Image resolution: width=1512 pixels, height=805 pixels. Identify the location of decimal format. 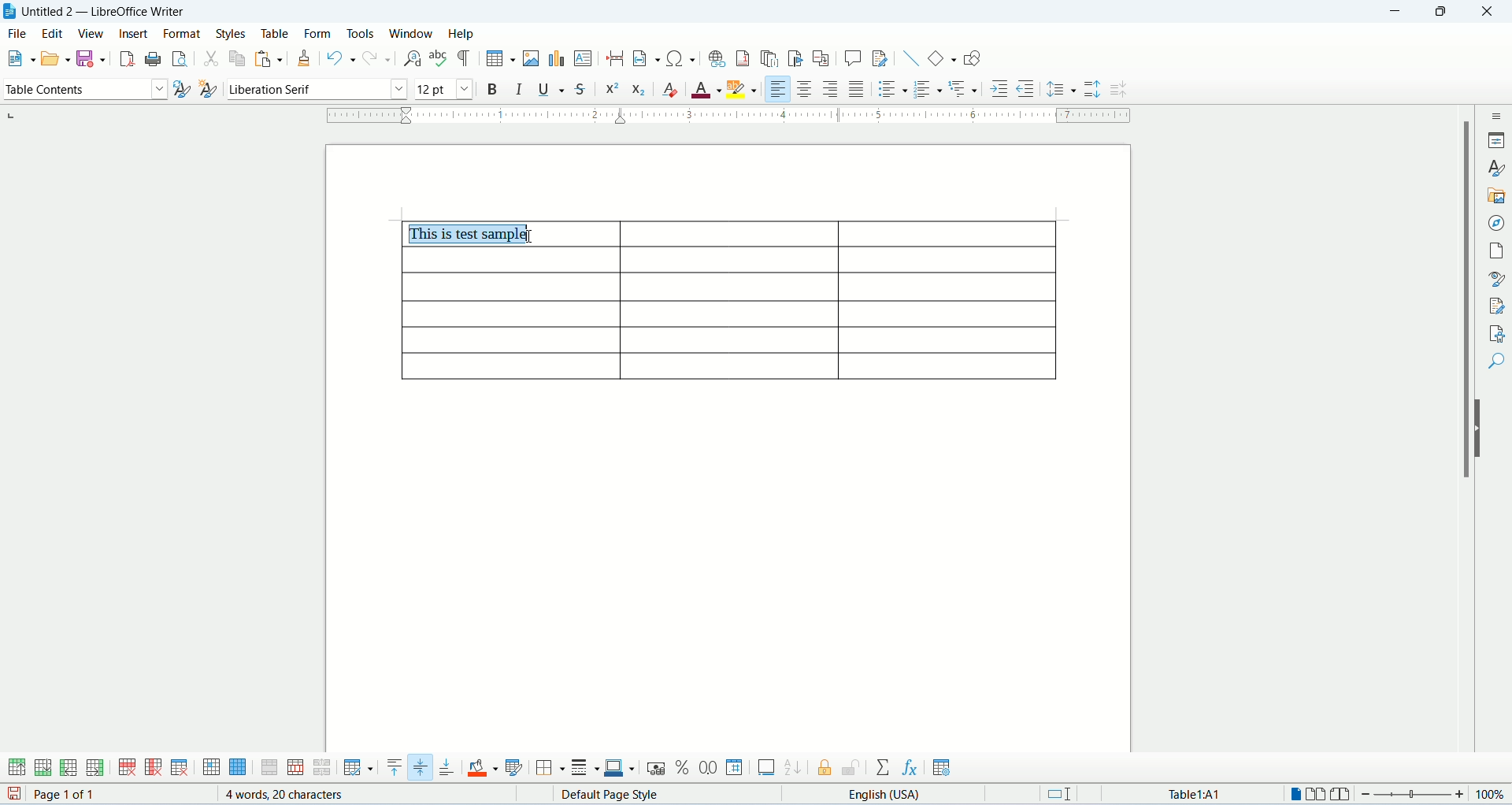
(710, 766).